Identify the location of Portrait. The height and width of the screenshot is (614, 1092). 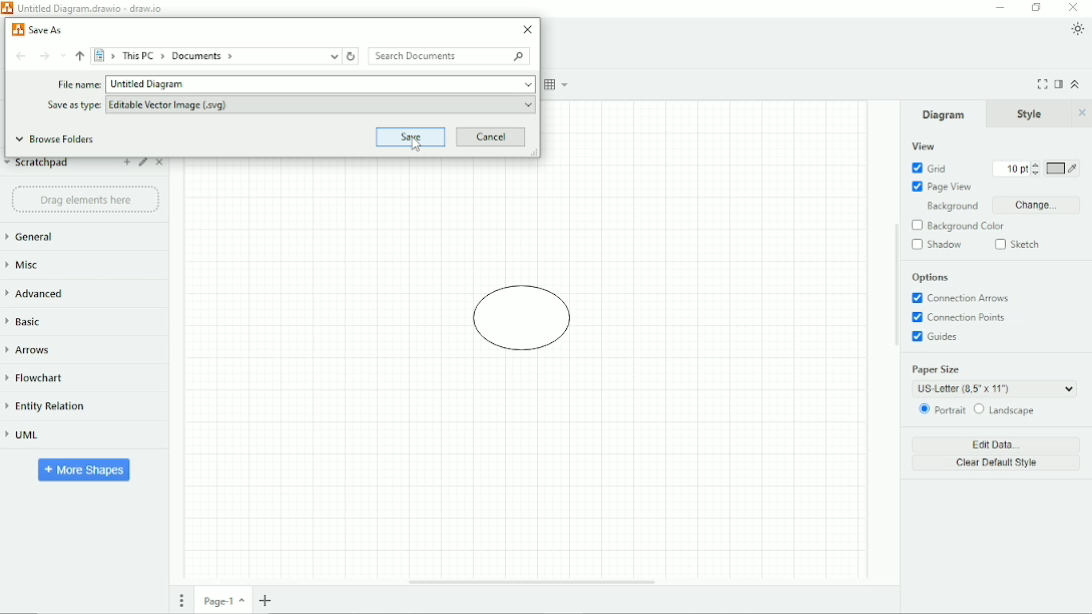
(942, 411).